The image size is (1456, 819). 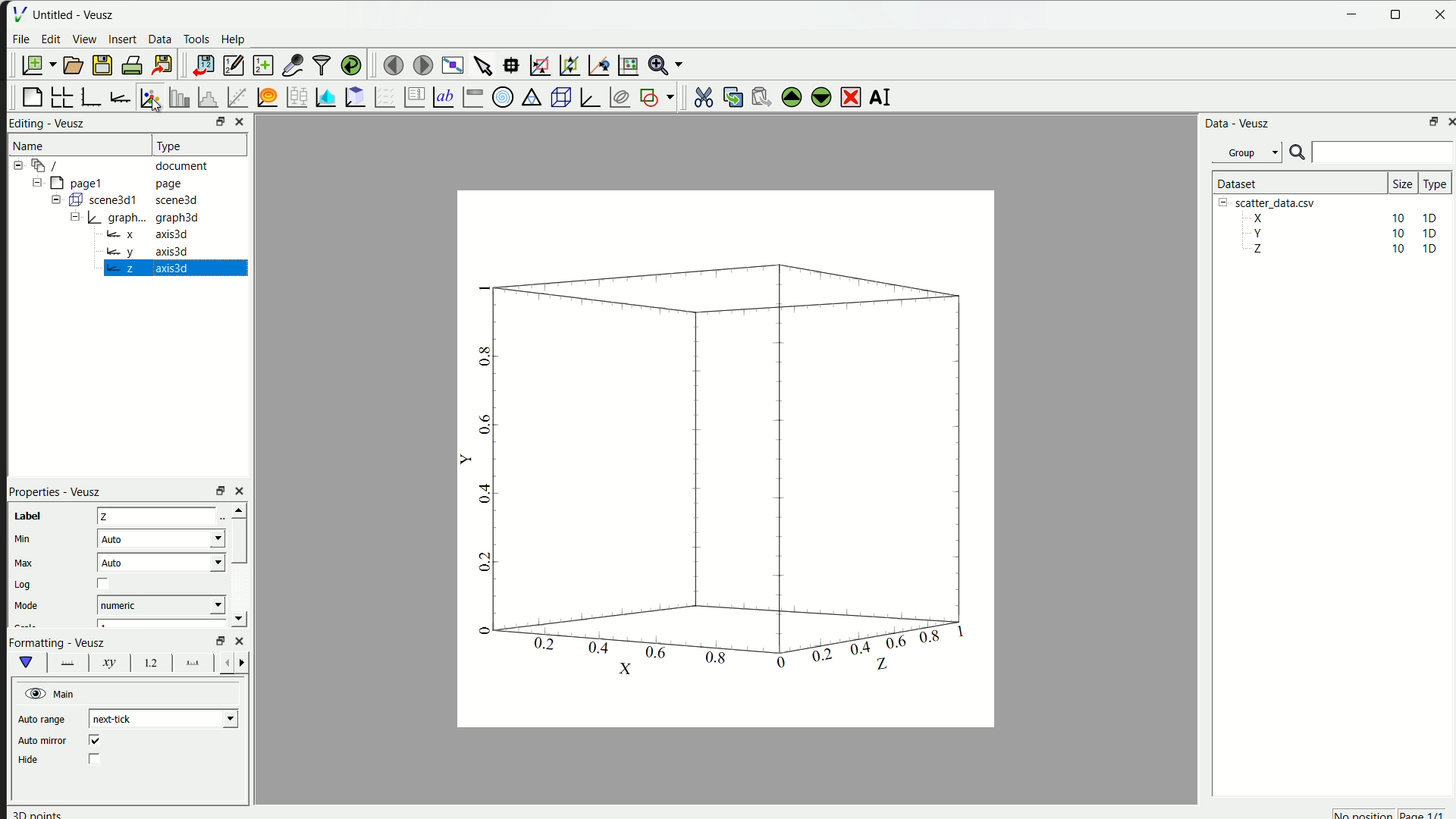 What do you see at coordinates (510, 64) in the screenshot?
I see `read datapoint on graph` at bounding box center [510, 64].